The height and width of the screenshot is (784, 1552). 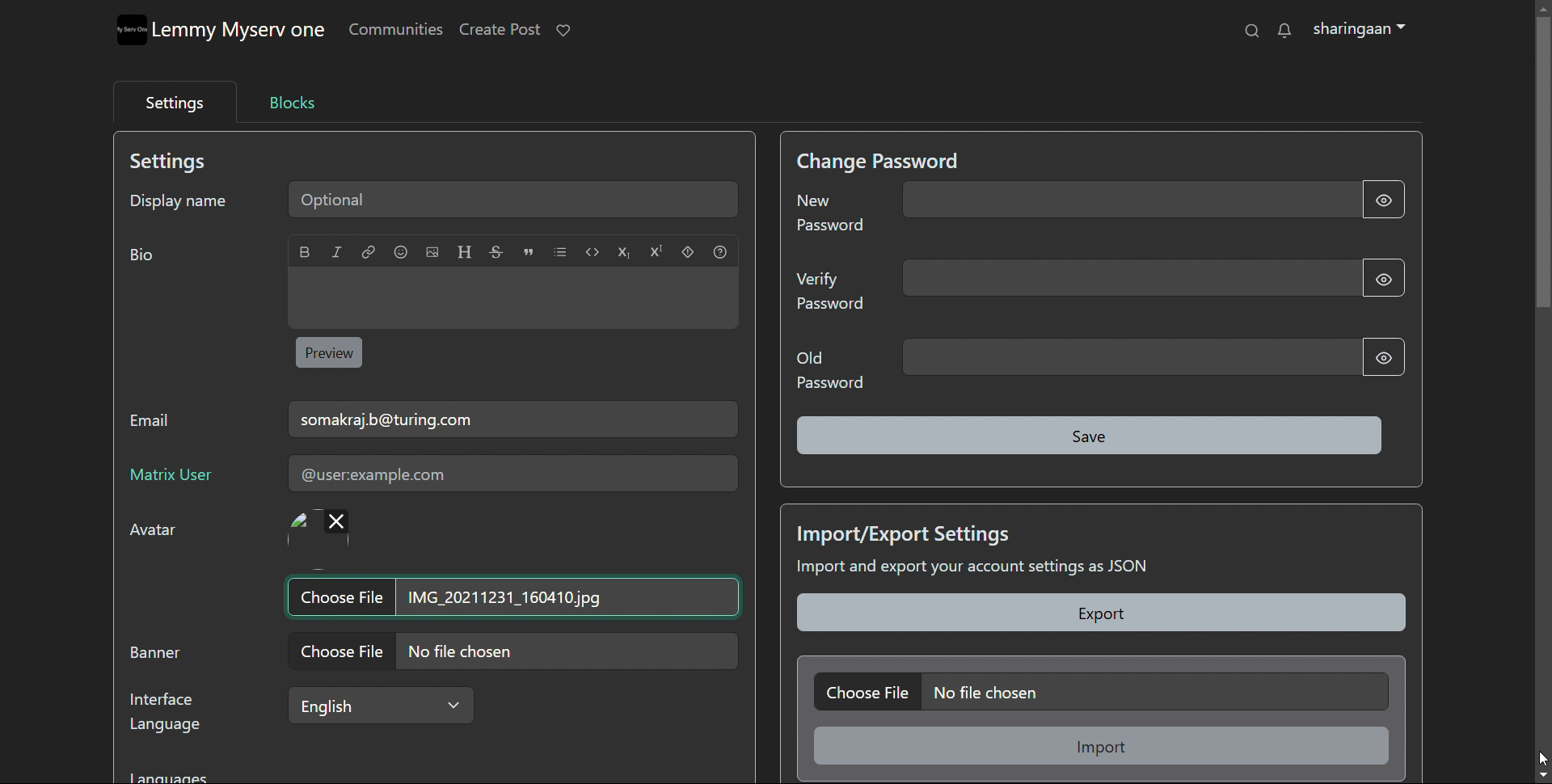 I want to click on verify password, so click(x=1128, y=278).